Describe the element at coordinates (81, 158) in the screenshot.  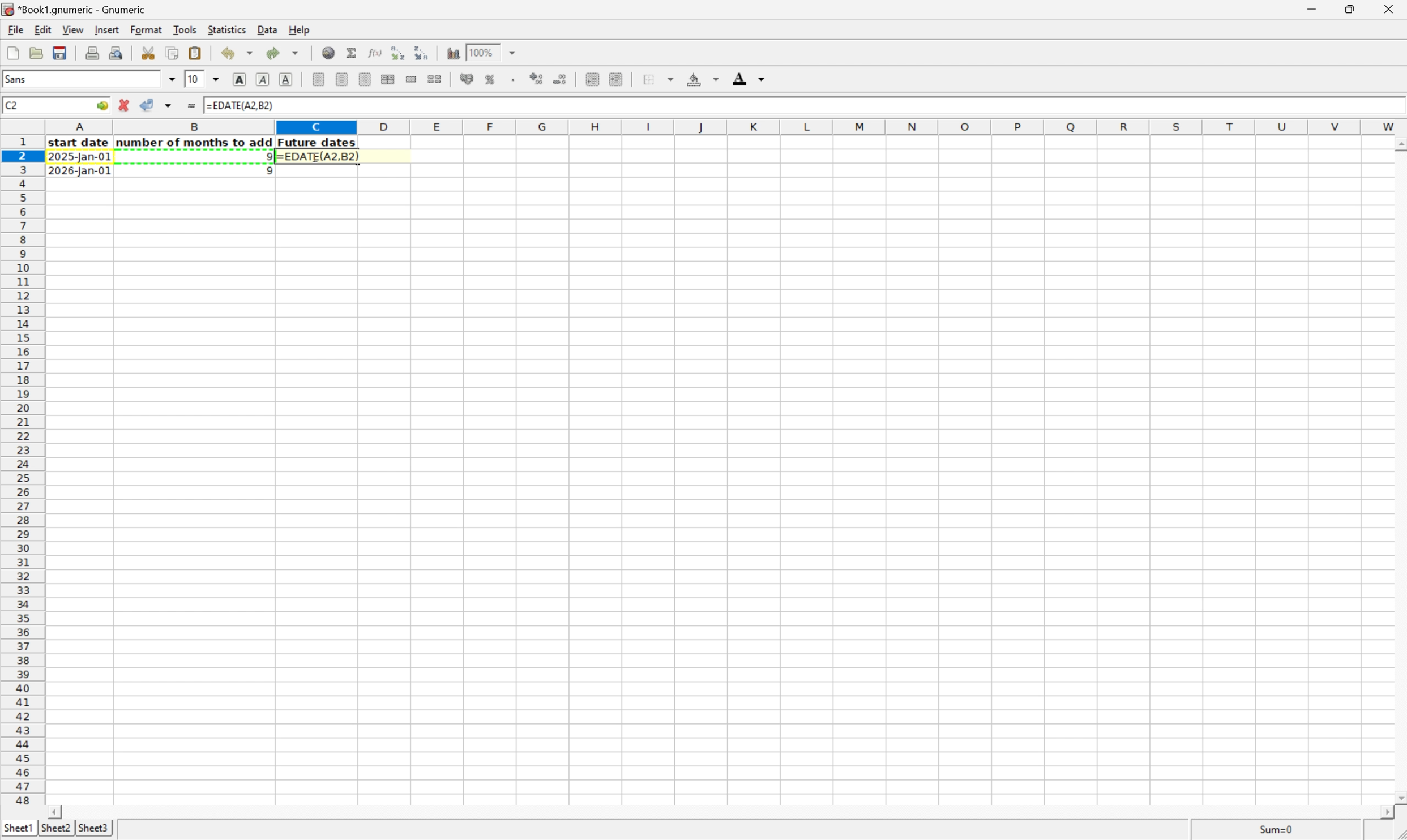
I see `2025-jan-01` at that location.